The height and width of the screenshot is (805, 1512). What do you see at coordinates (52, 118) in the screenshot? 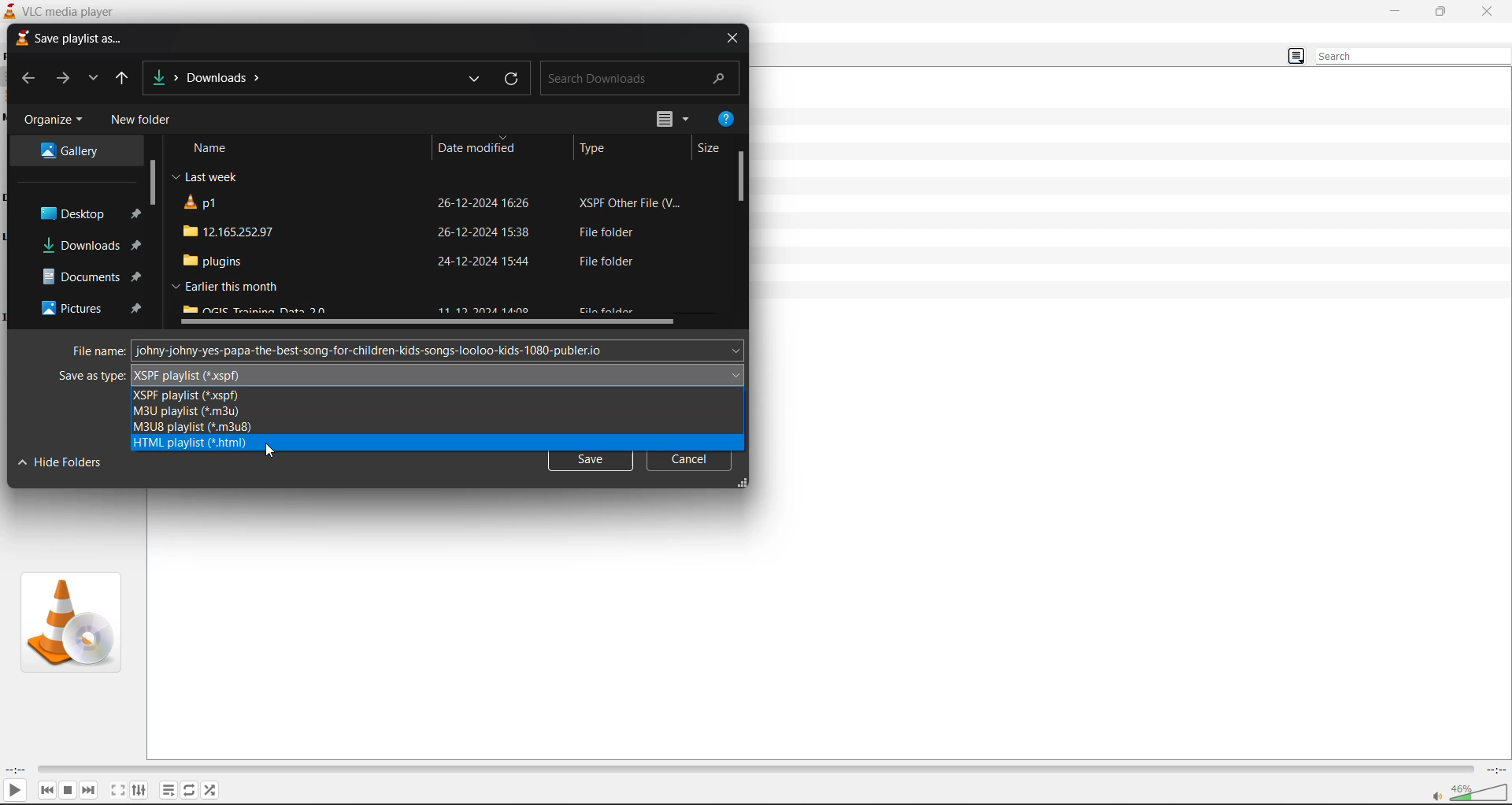
I see `organize` at bounding box center [52, 118].